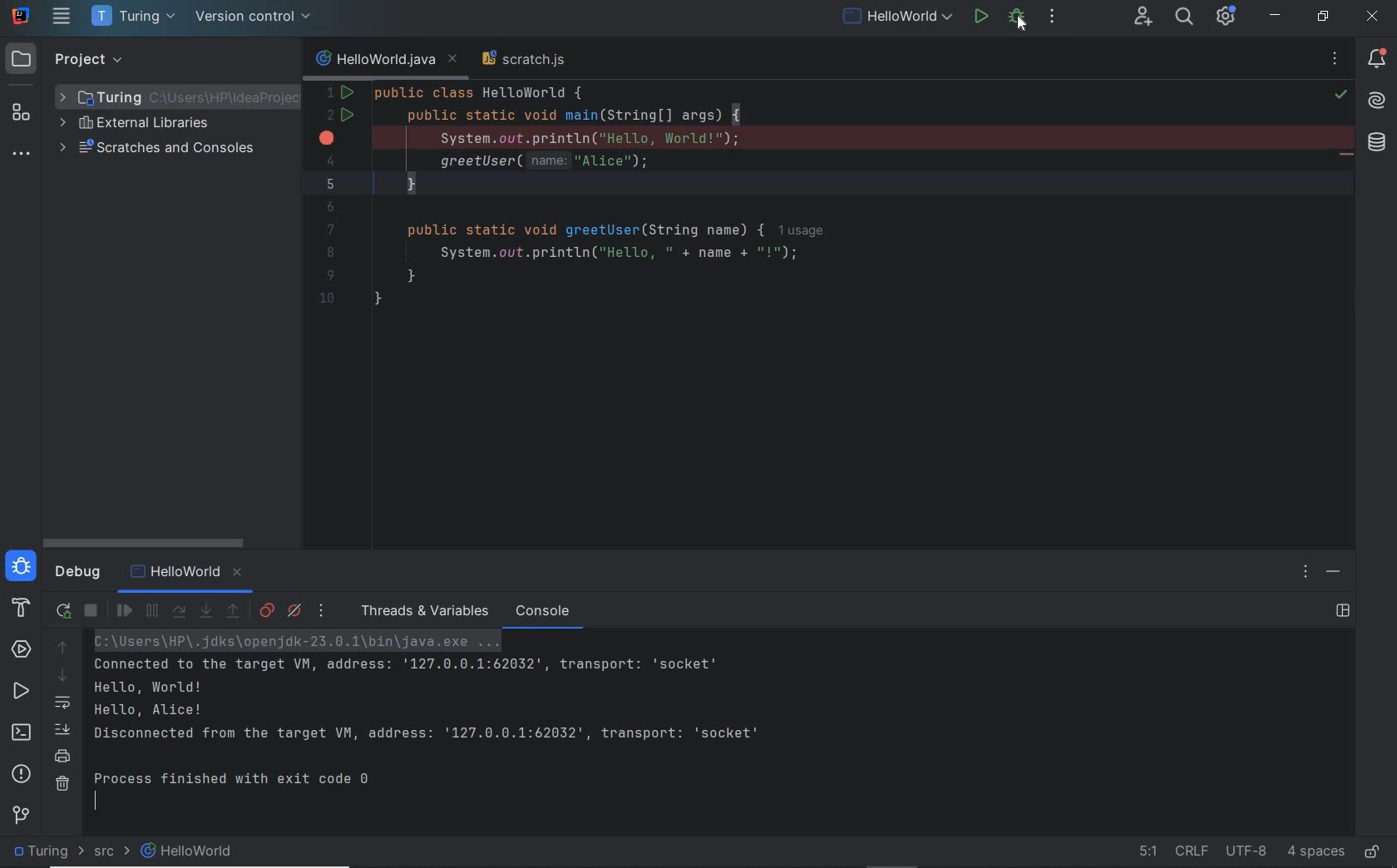 The height and width of the screenshot is (868, 1397). Describe the element at coordinates (1377, 101) in the screenshot. I see `AI assistant` at that location.